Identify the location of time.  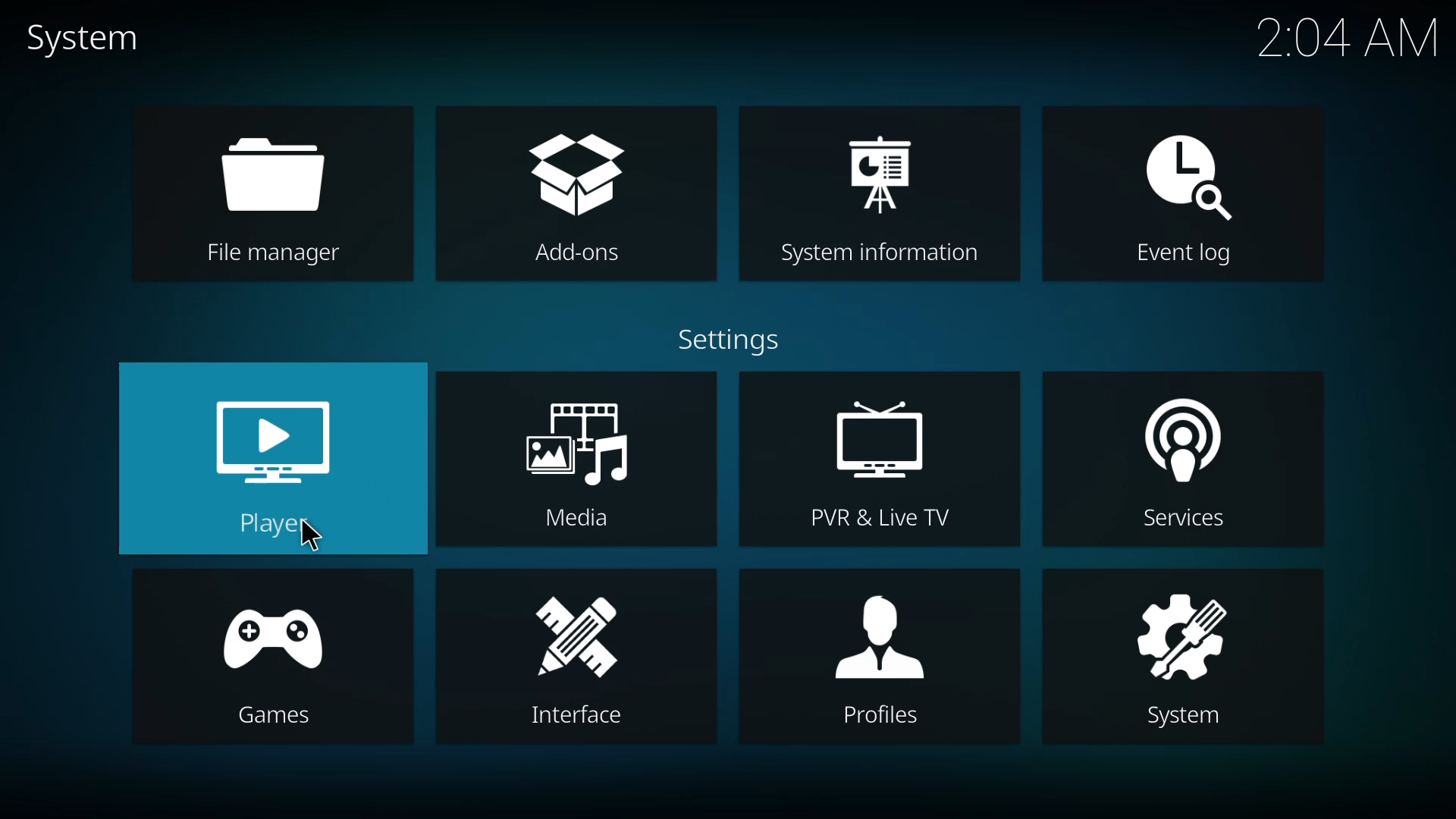
(1354, 39).